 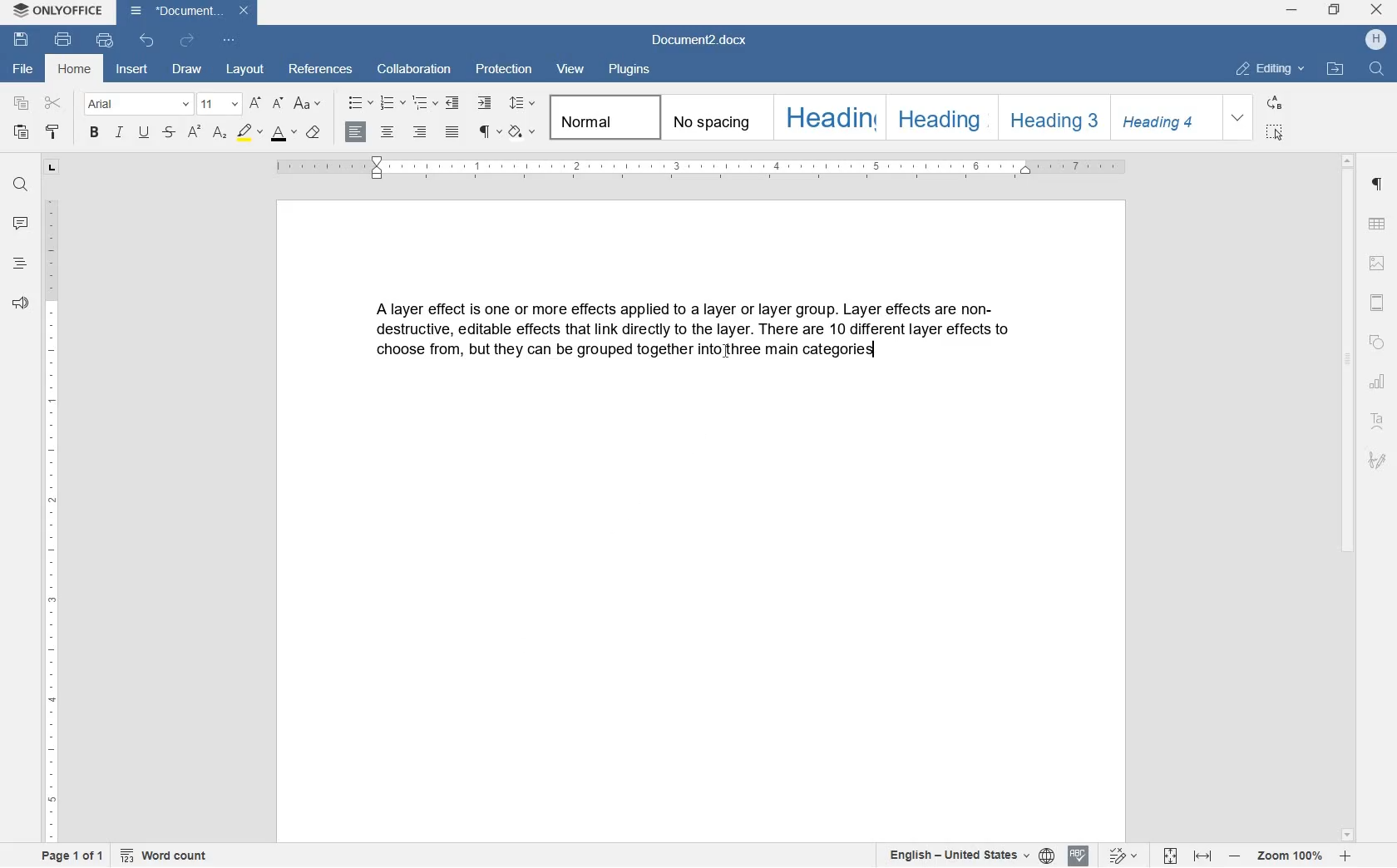 I want to click on heading 4, so click(x=1164, y=116).